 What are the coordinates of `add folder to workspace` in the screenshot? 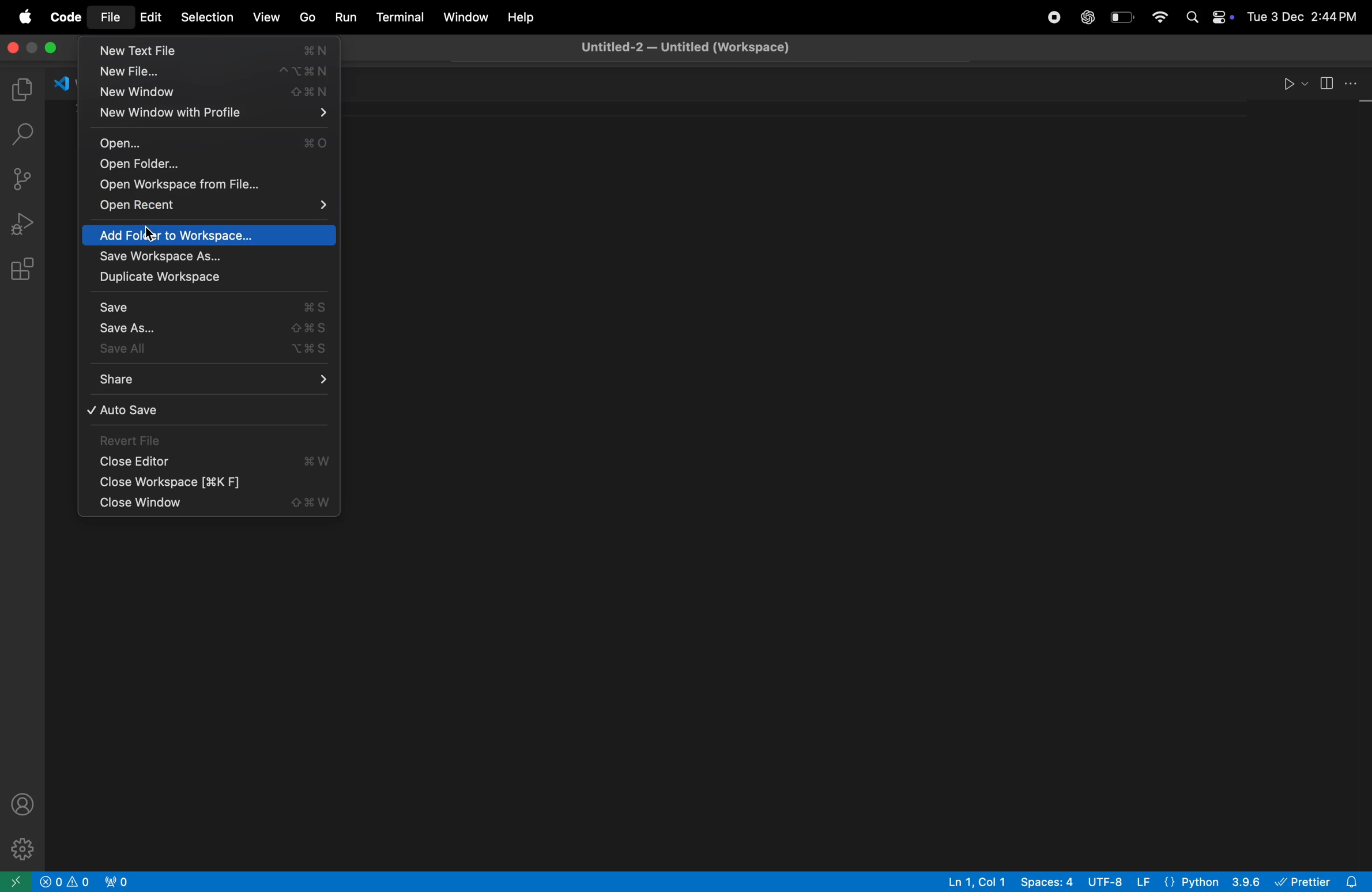 It's located at (247, 235).